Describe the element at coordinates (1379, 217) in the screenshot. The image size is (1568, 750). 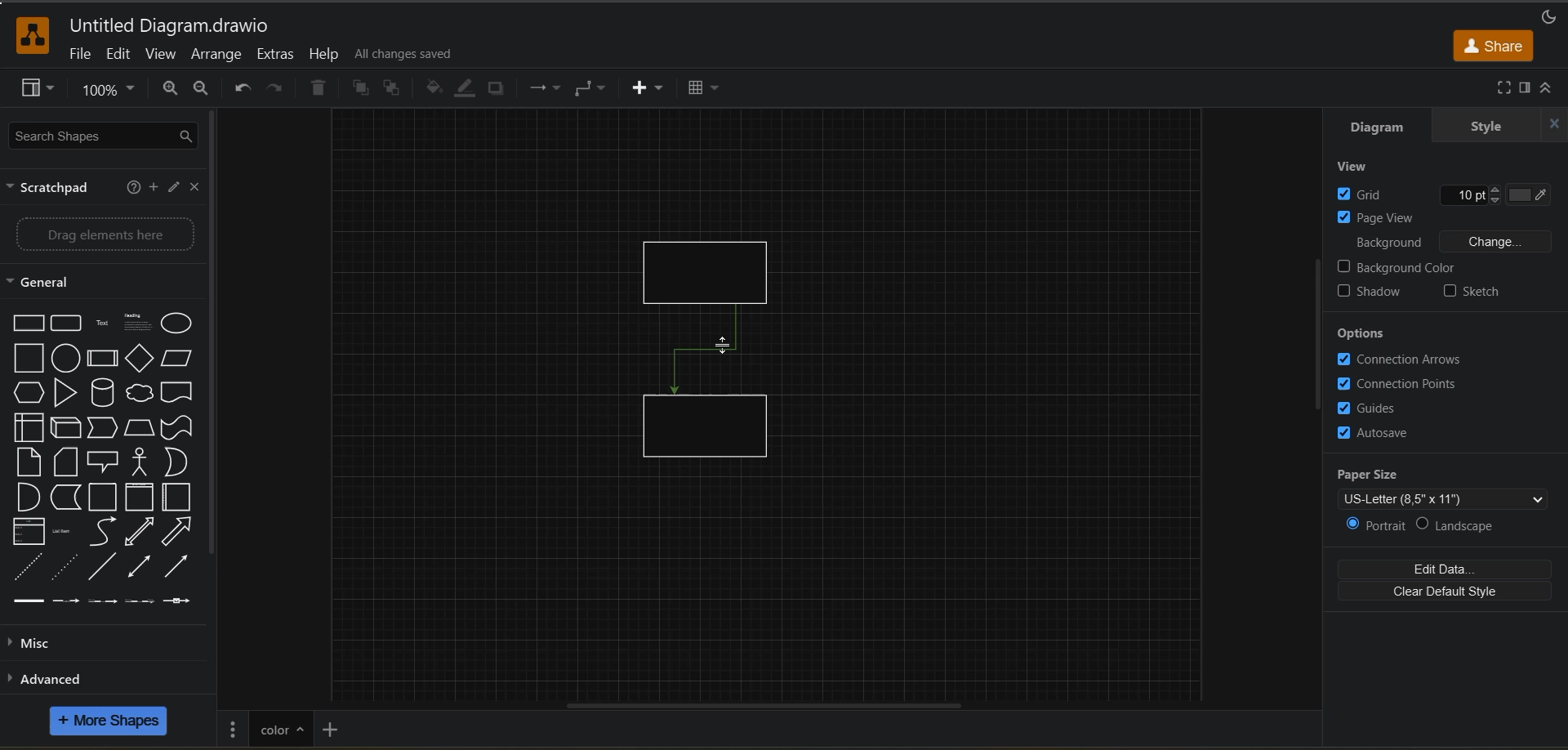
I see `page view` at that location.